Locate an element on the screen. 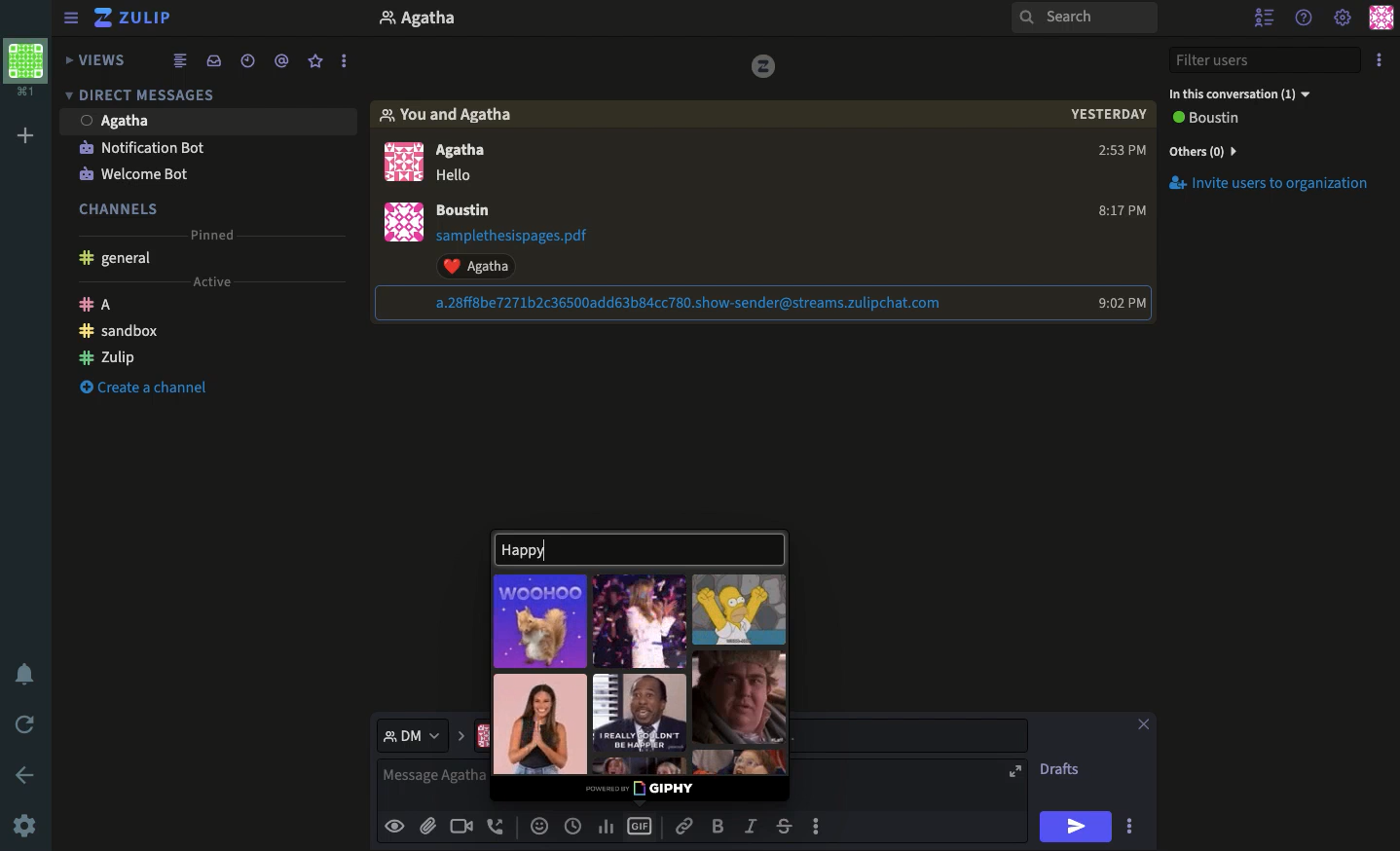  GIF is located at coordinates (642, 825).